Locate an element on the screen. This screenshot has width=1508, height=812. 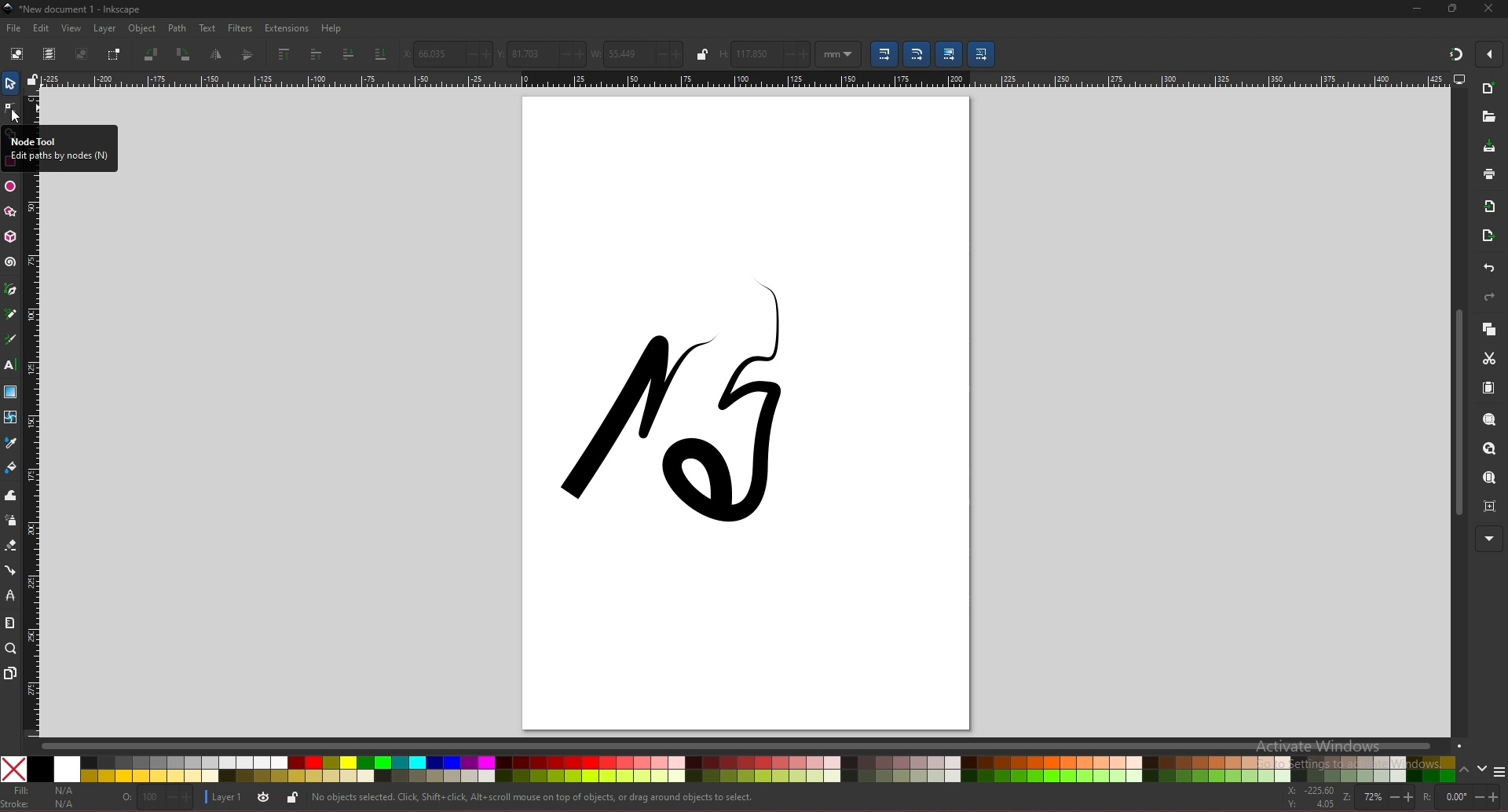
drawing is located at coordinates (679, 414).